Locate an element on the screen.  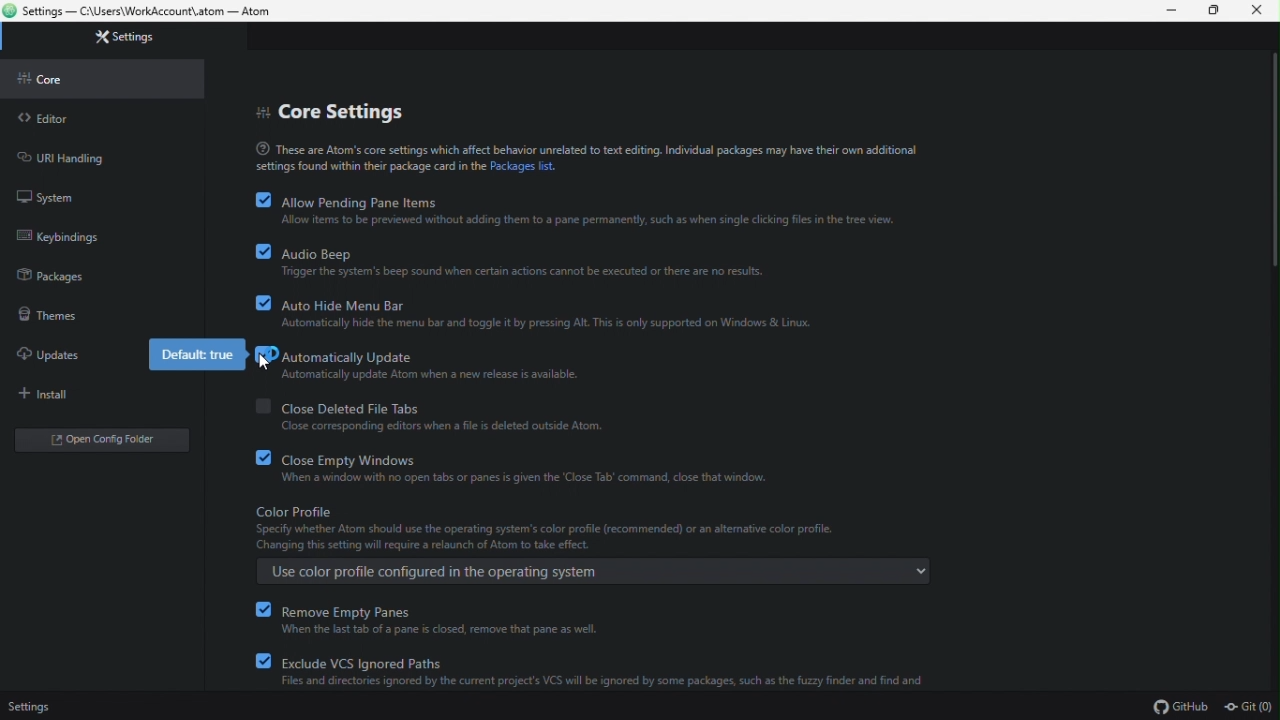
theme is located at coordinates (47, 314).